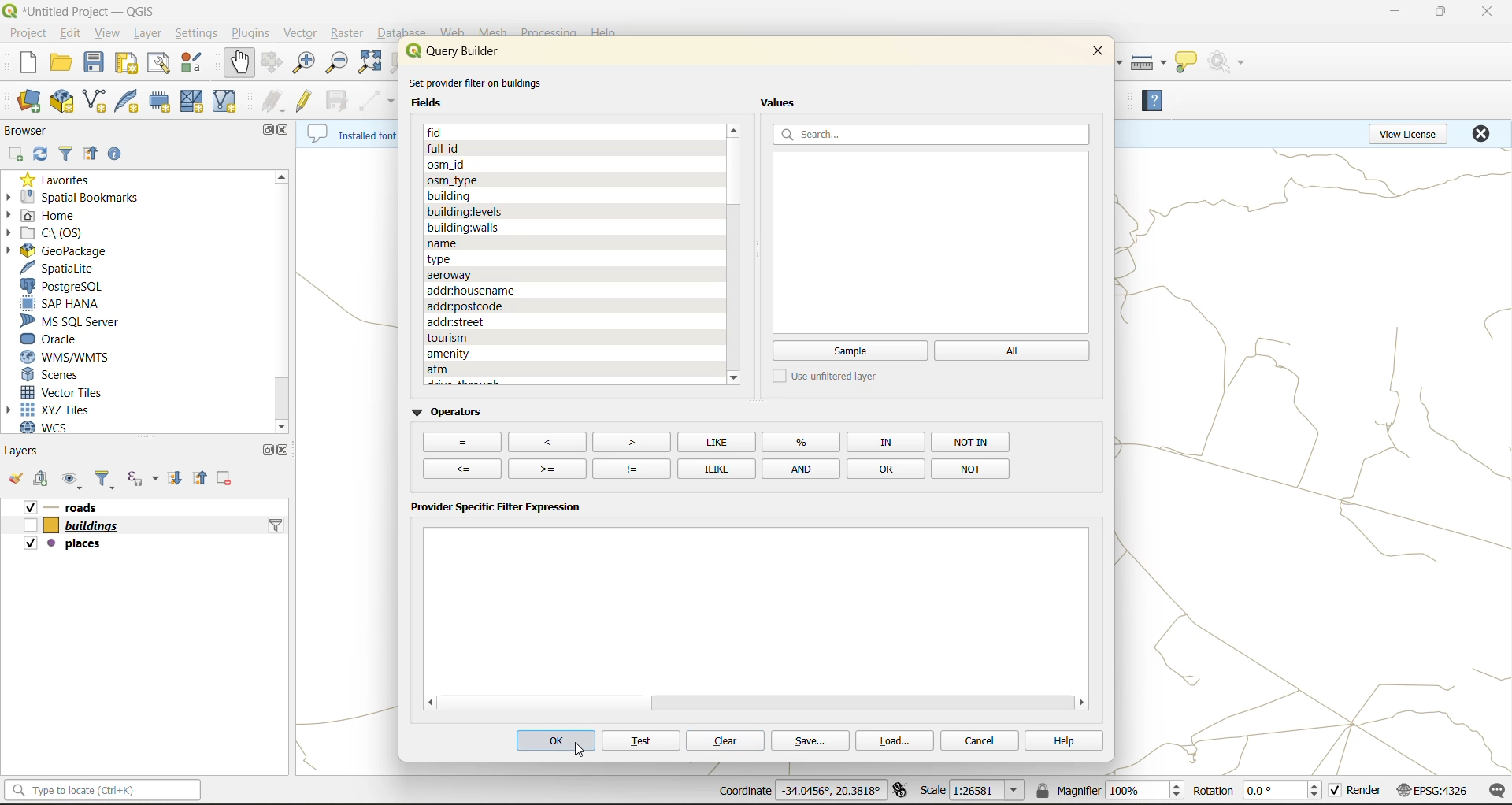  I want to click on fields, so click(456, 133).